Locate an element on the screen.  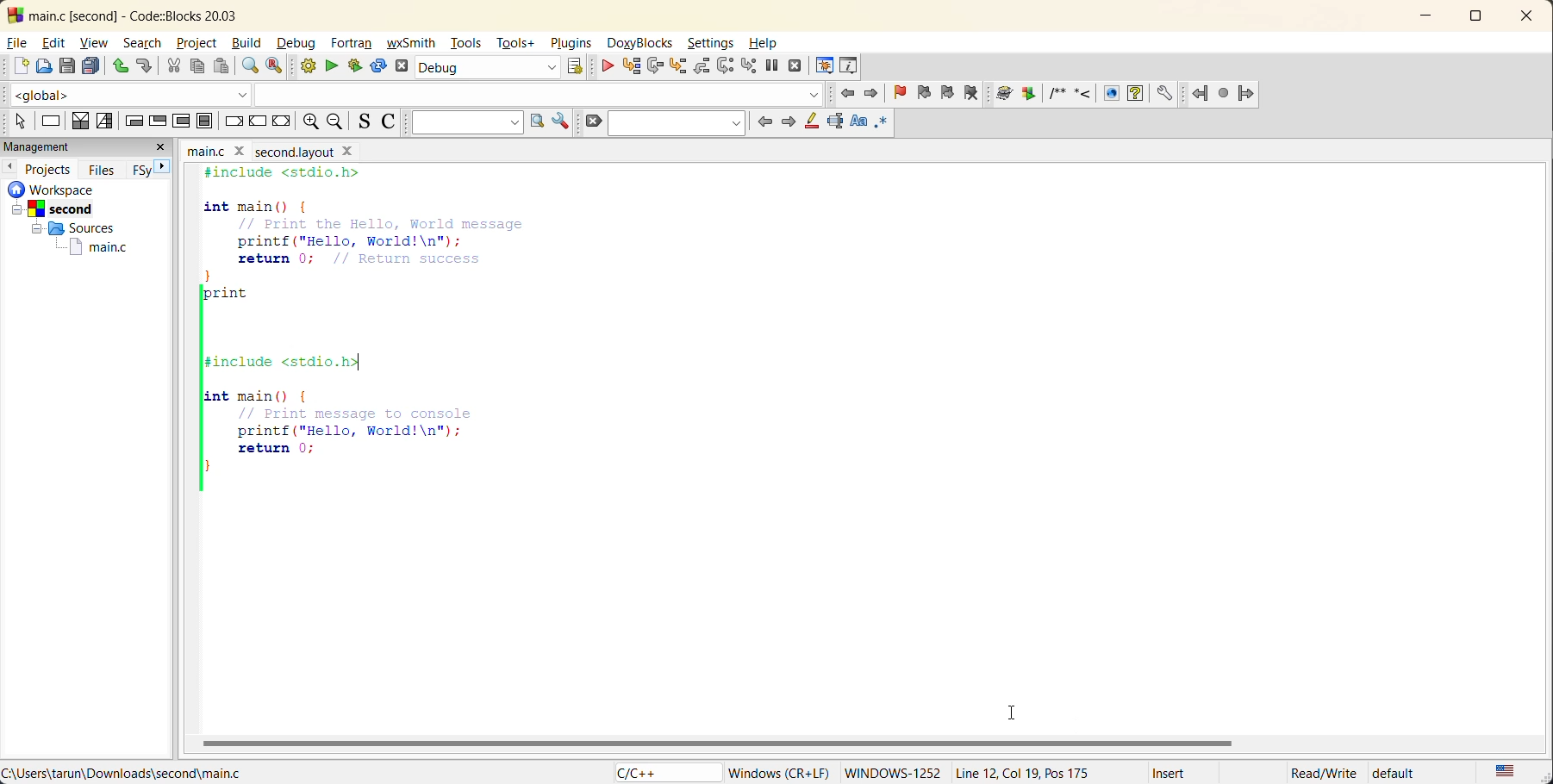
fortran is located at coordinates (354, 44).